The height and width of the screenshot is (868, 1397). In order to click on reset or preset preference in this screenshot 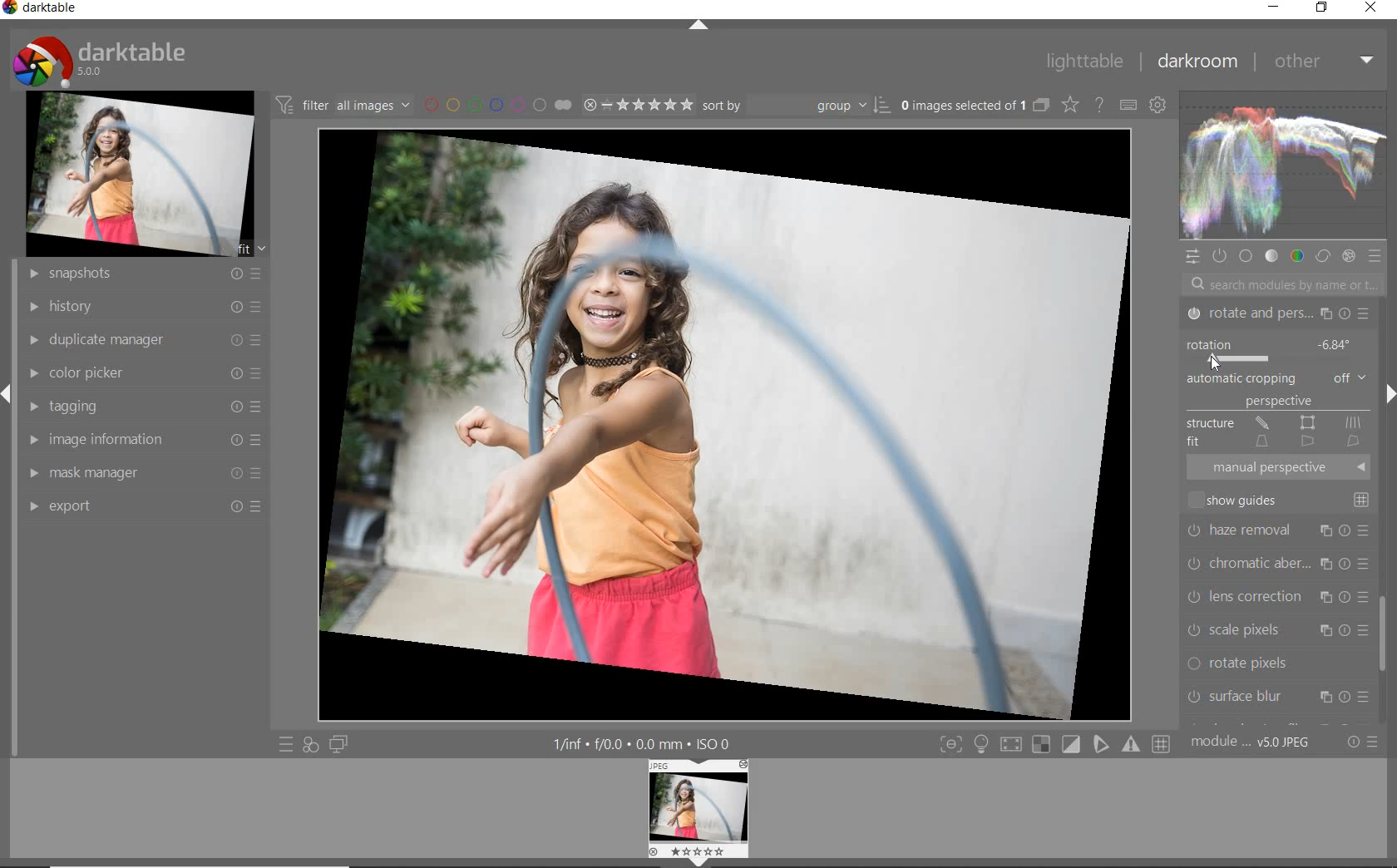, I will do `click(1359, 742)`.